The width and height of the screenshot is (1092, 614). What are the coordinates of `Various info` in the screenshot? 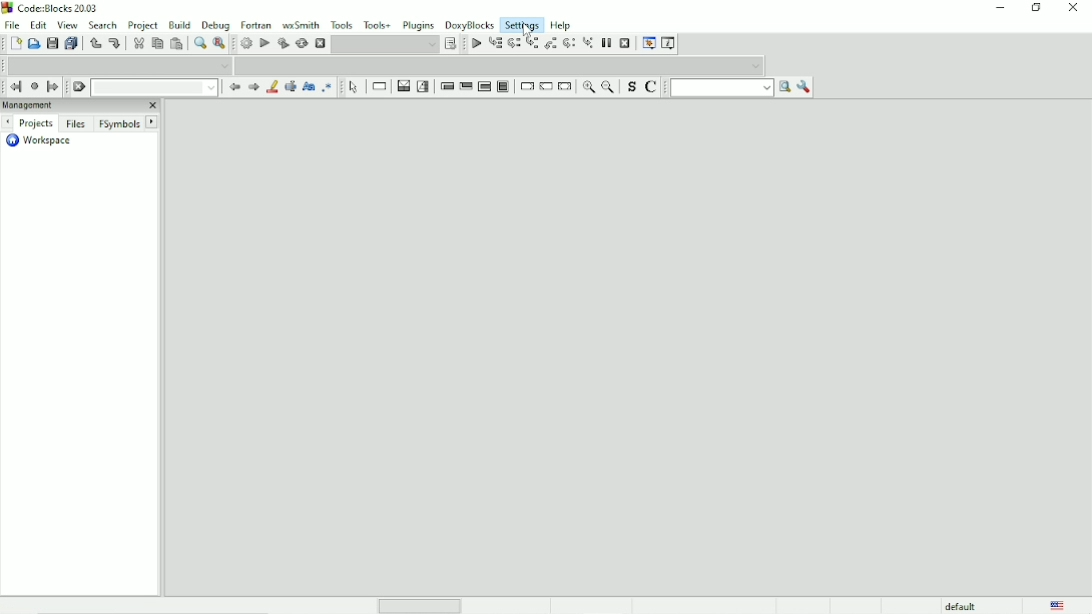 It's located at (669, 43).